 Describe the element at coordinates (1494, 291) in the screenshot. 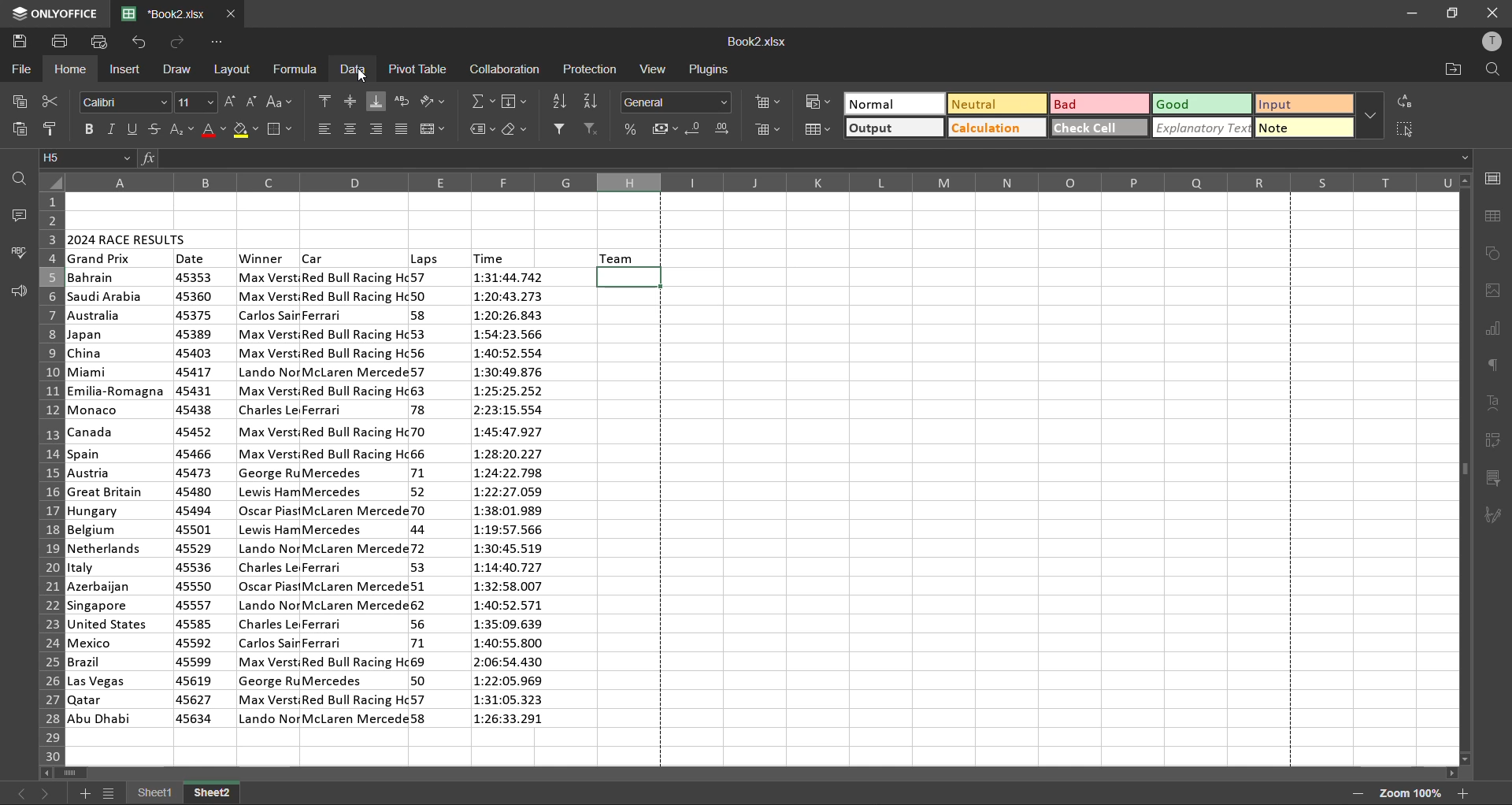

I see `images` at that location.